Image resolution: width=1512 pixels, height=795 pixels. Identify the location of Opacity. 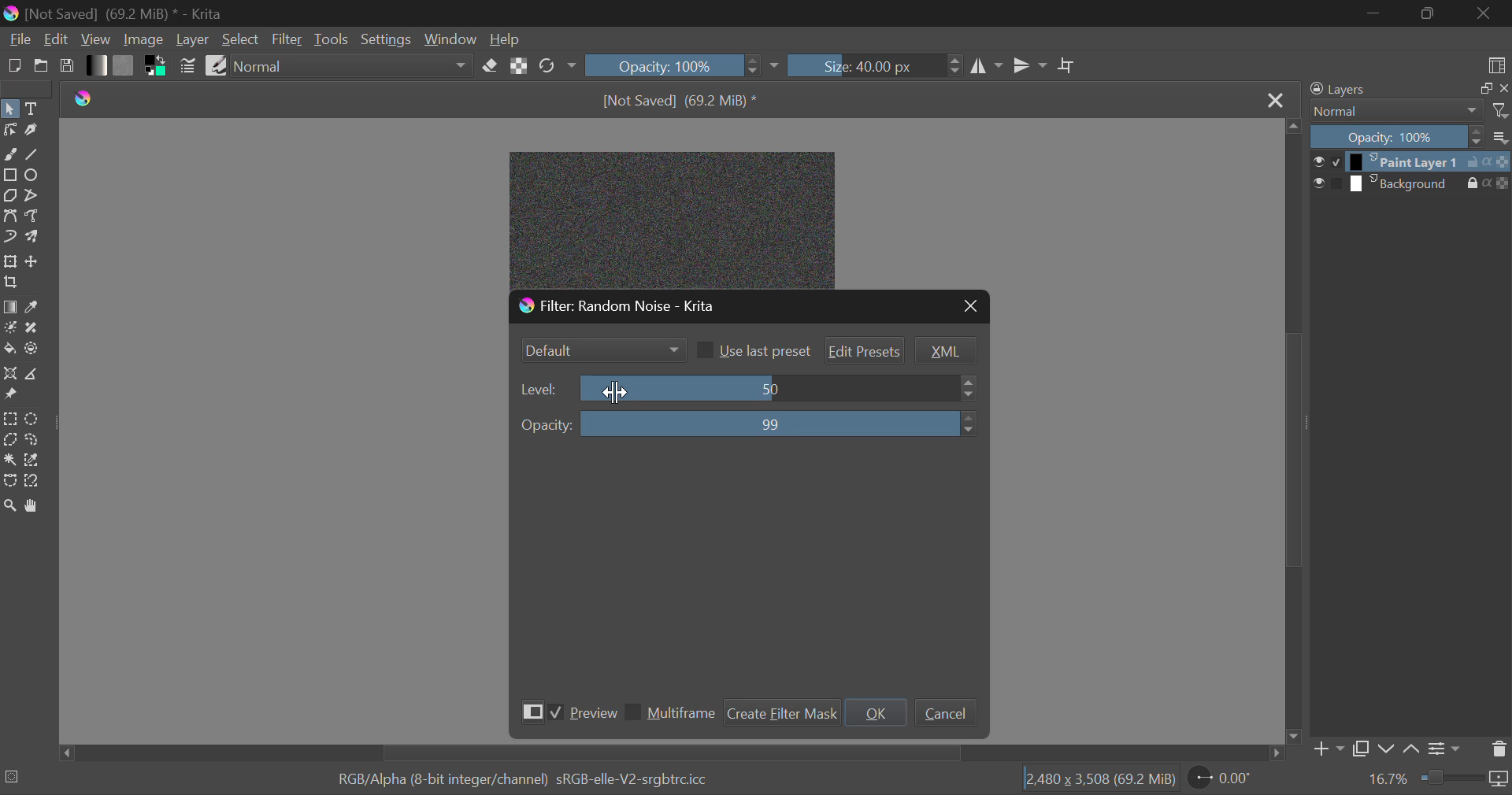
(1395, 137).